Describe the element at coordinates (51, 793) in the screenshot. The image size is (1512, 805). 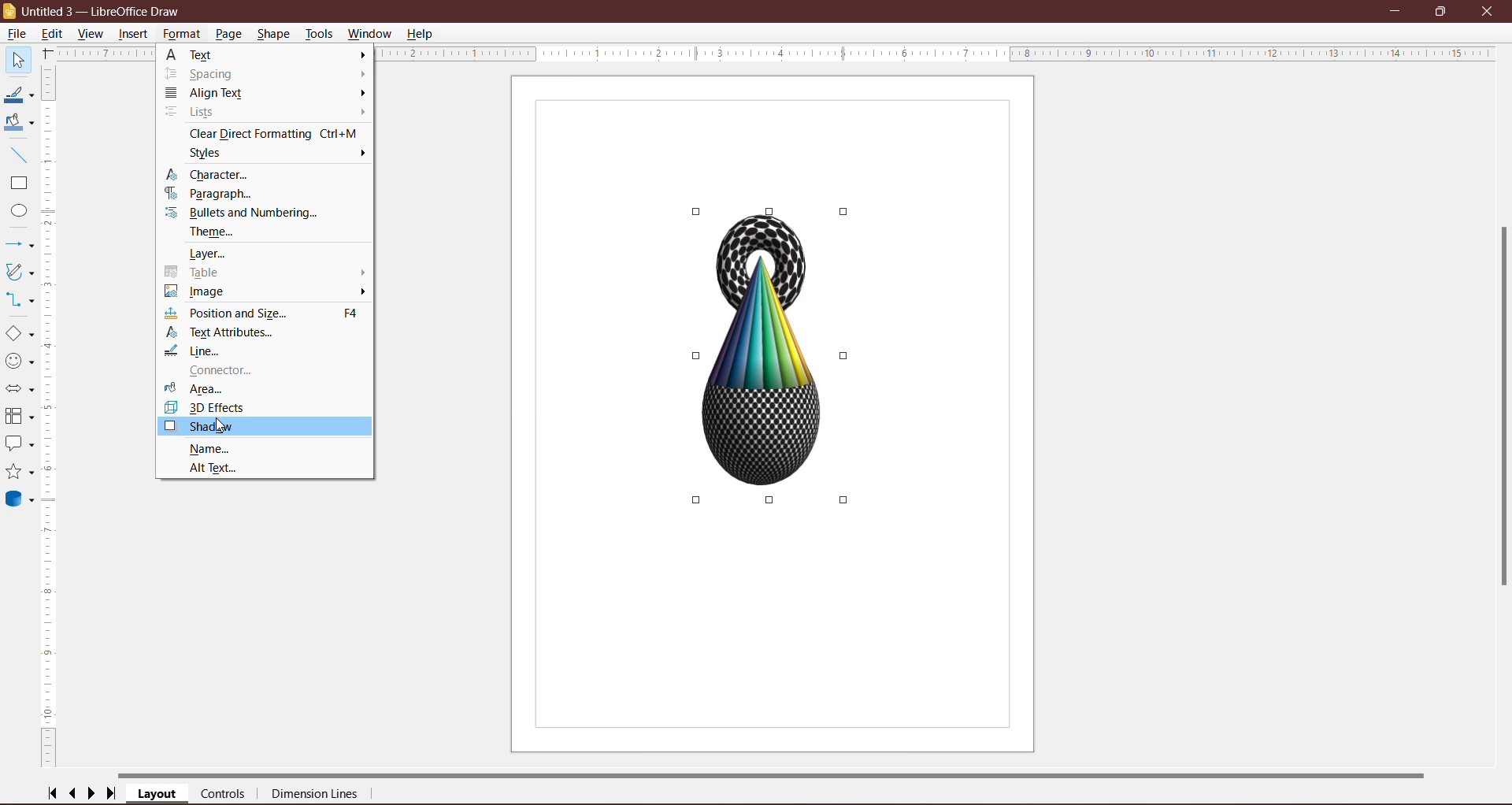
I see `` at that location.